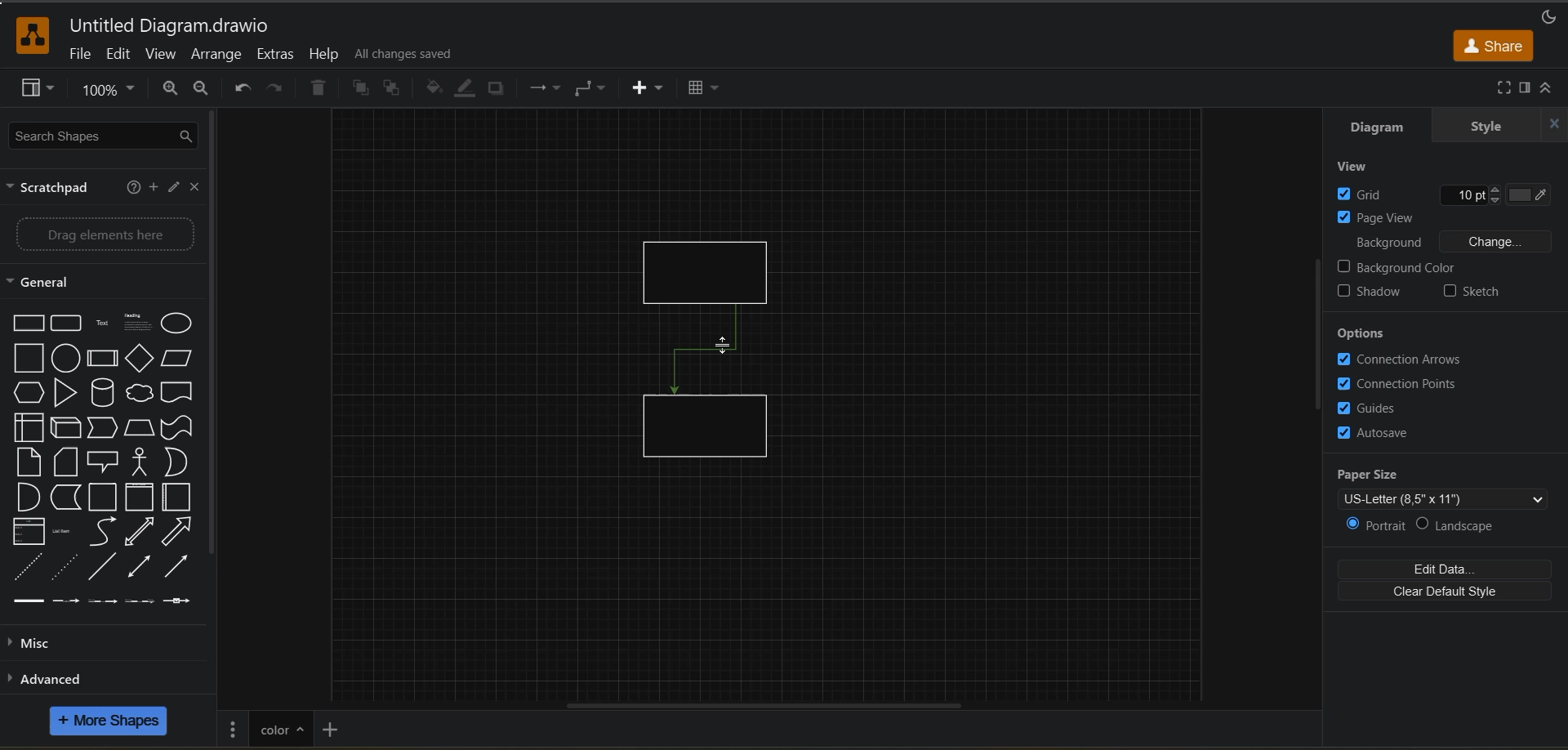  I want to click on landscape, so click(1465, 522).